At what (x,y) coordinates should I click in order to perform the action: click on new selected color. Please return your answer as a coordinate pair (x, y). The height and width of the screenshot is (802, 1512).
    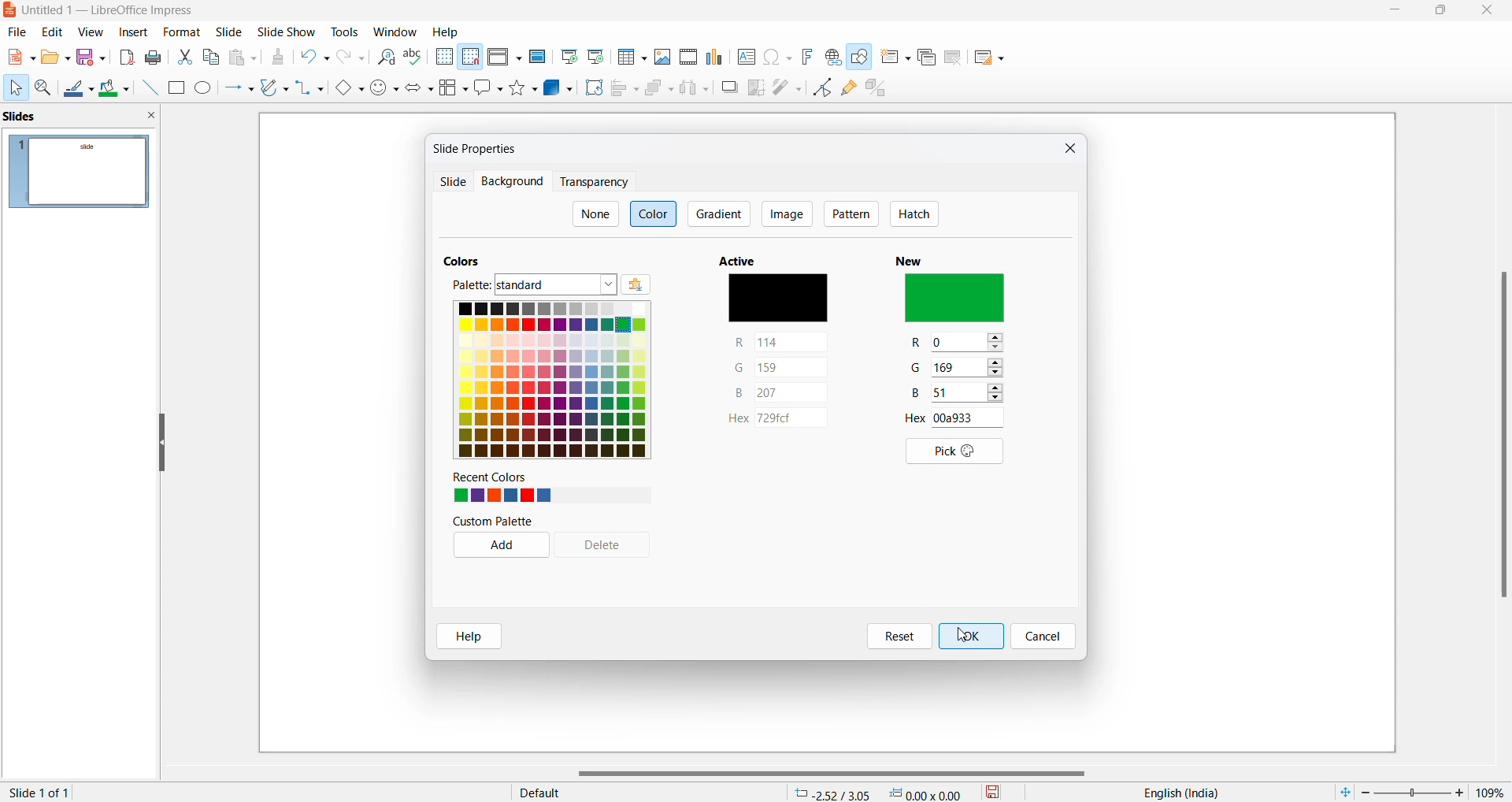
    Looking at the image, I should click on (958, 299).